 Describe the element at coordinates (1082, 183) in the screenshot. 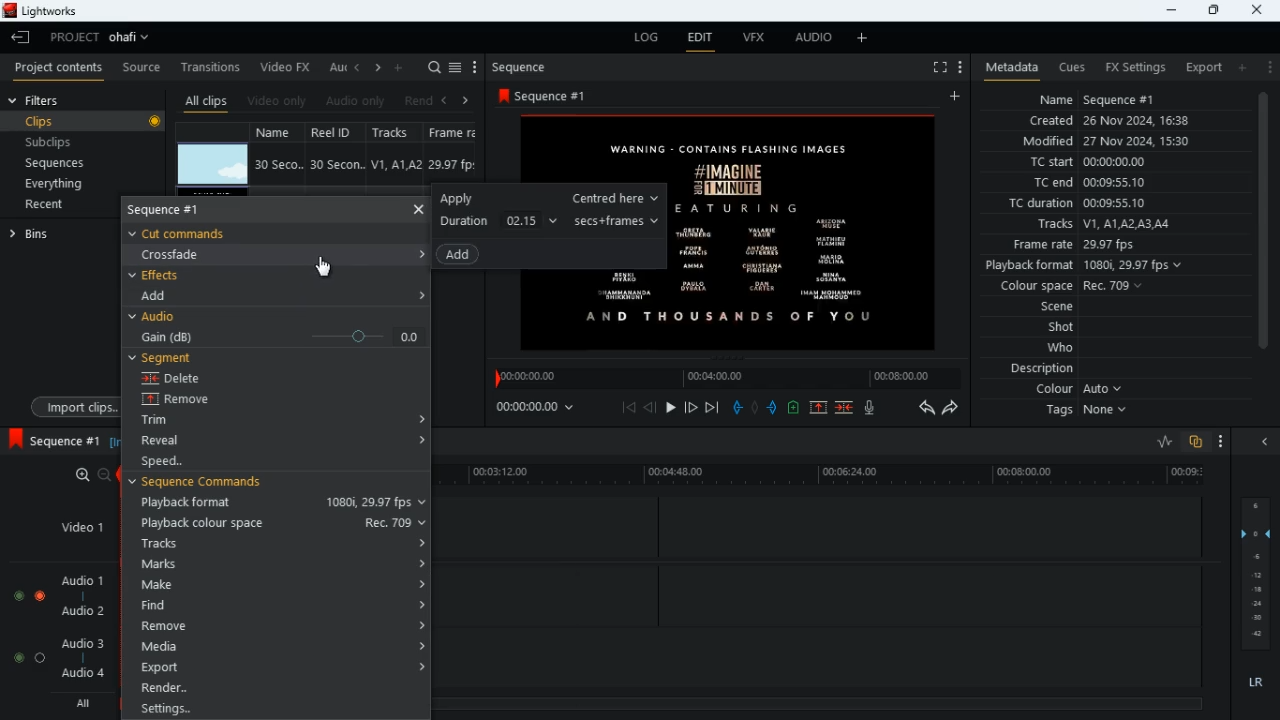

I see `tc end` at that location.